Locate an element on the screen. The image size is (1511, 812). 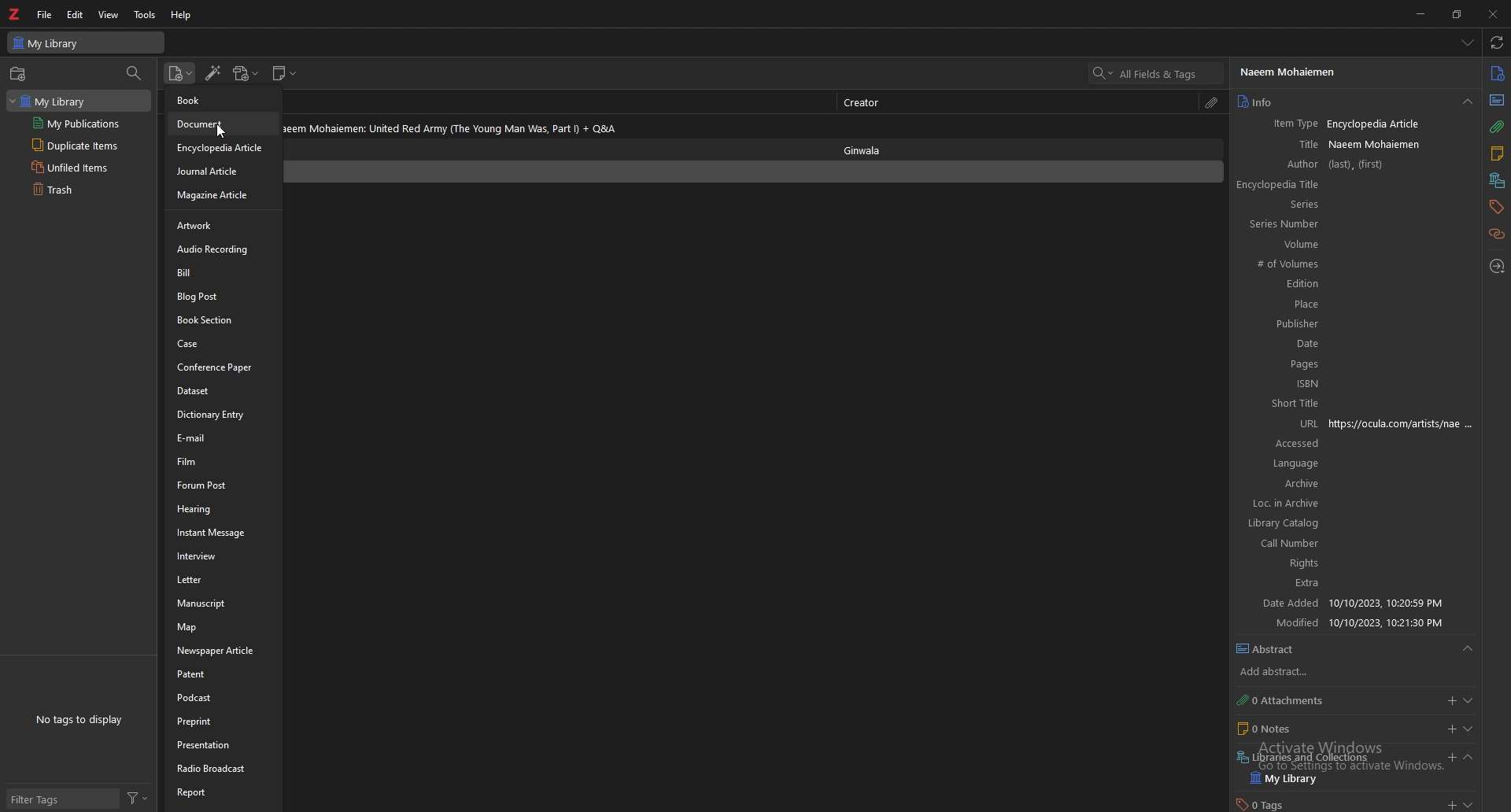
related is located at coordinates (1498, 233).